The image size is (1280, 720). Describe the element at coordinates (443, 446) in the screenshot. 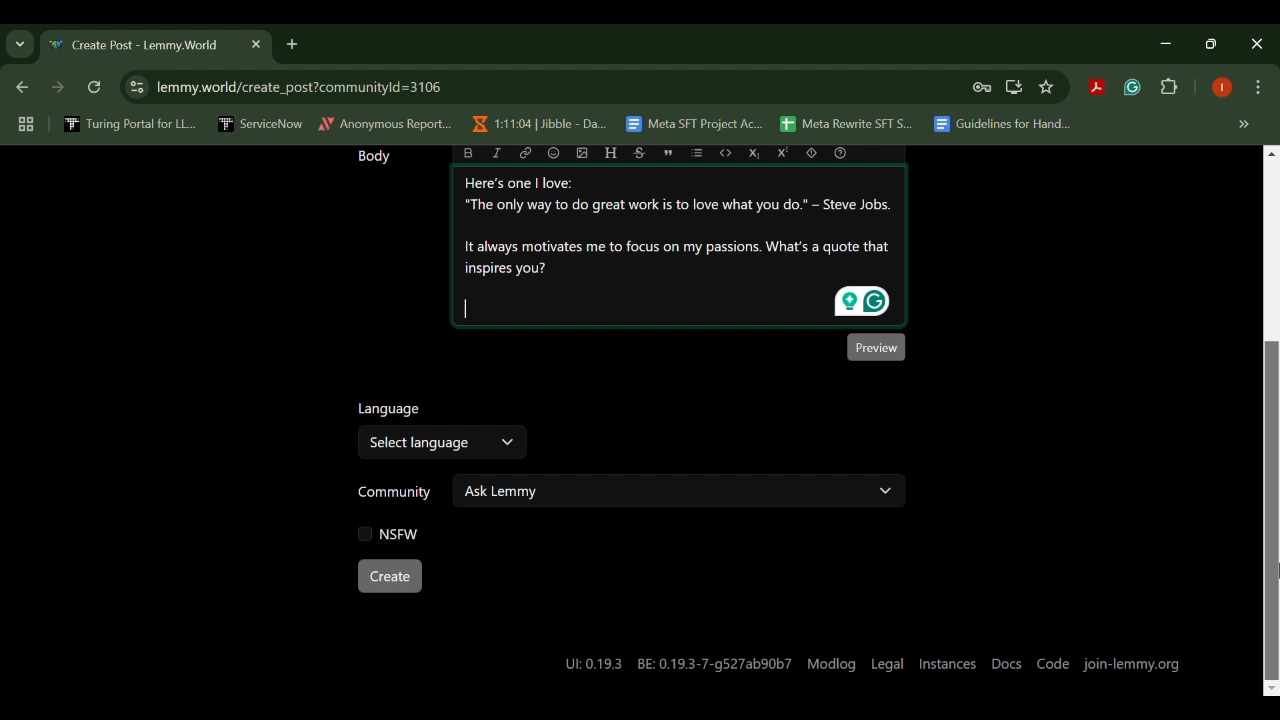

I see `Select Language` at that location.